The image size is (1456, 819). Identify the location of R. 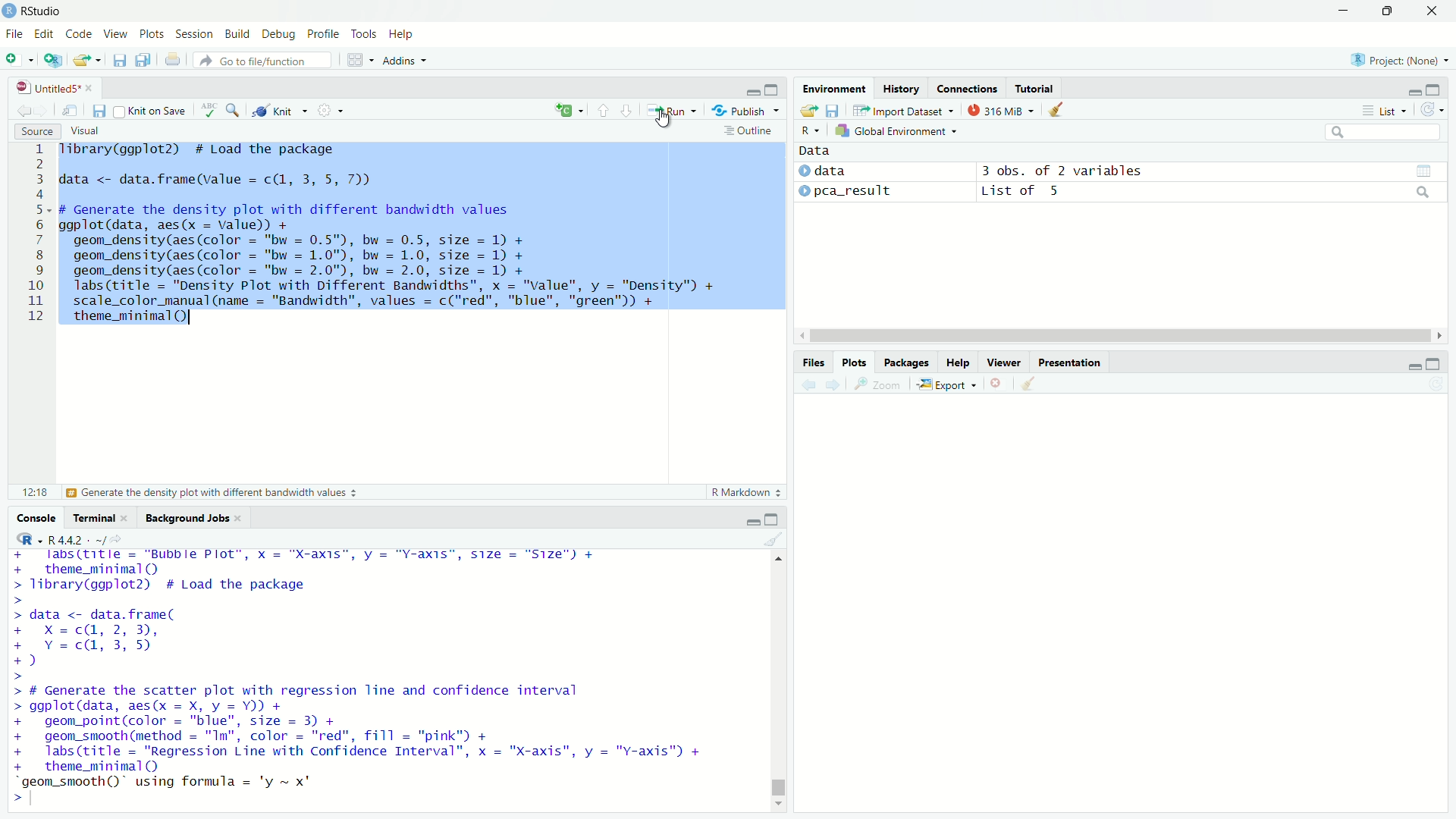
(811, 130).